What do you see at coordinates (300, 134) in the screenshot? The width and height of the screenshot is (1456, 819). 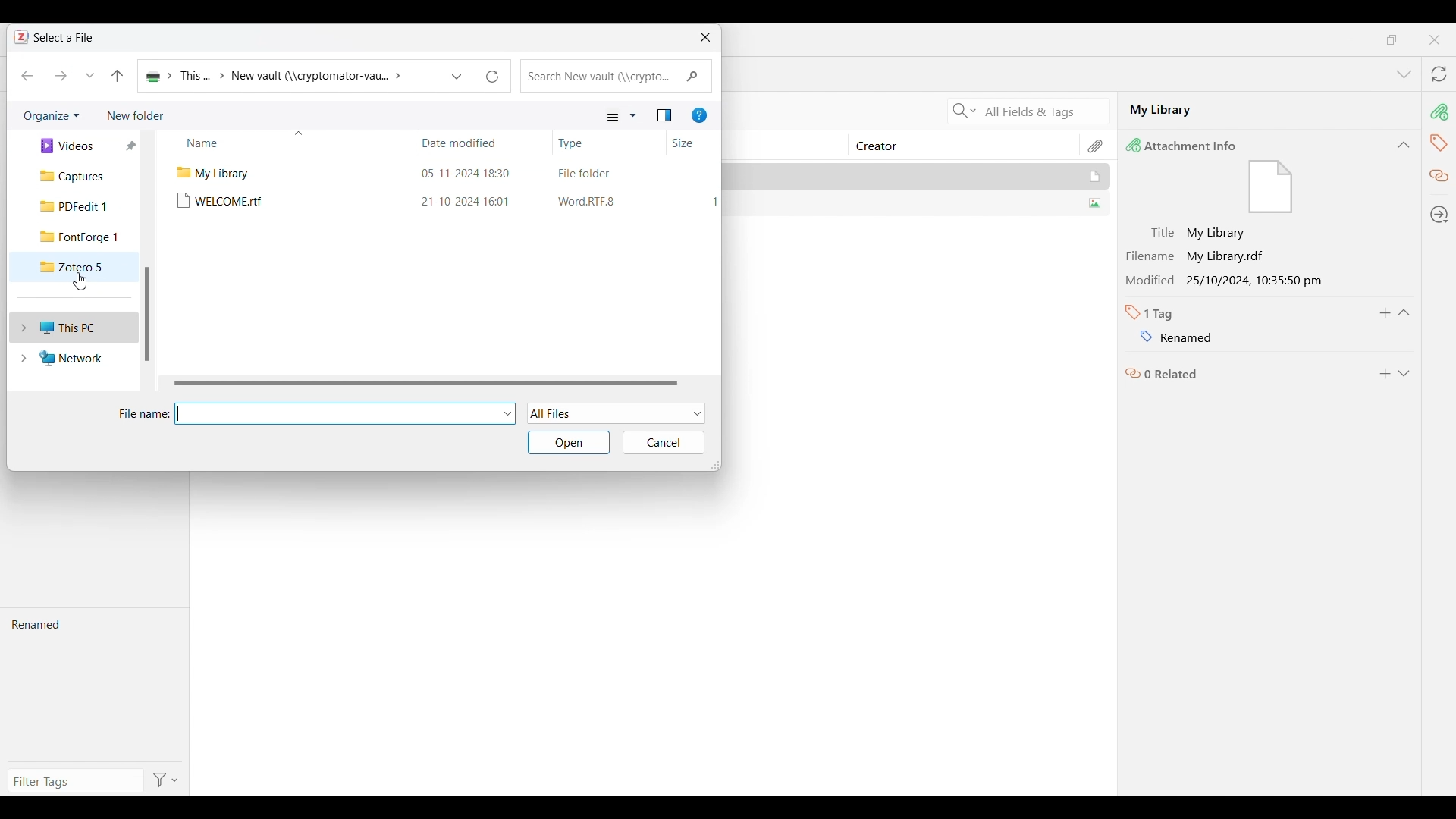 I see `Sort column by alphabet` at bounding box center [300, 134].